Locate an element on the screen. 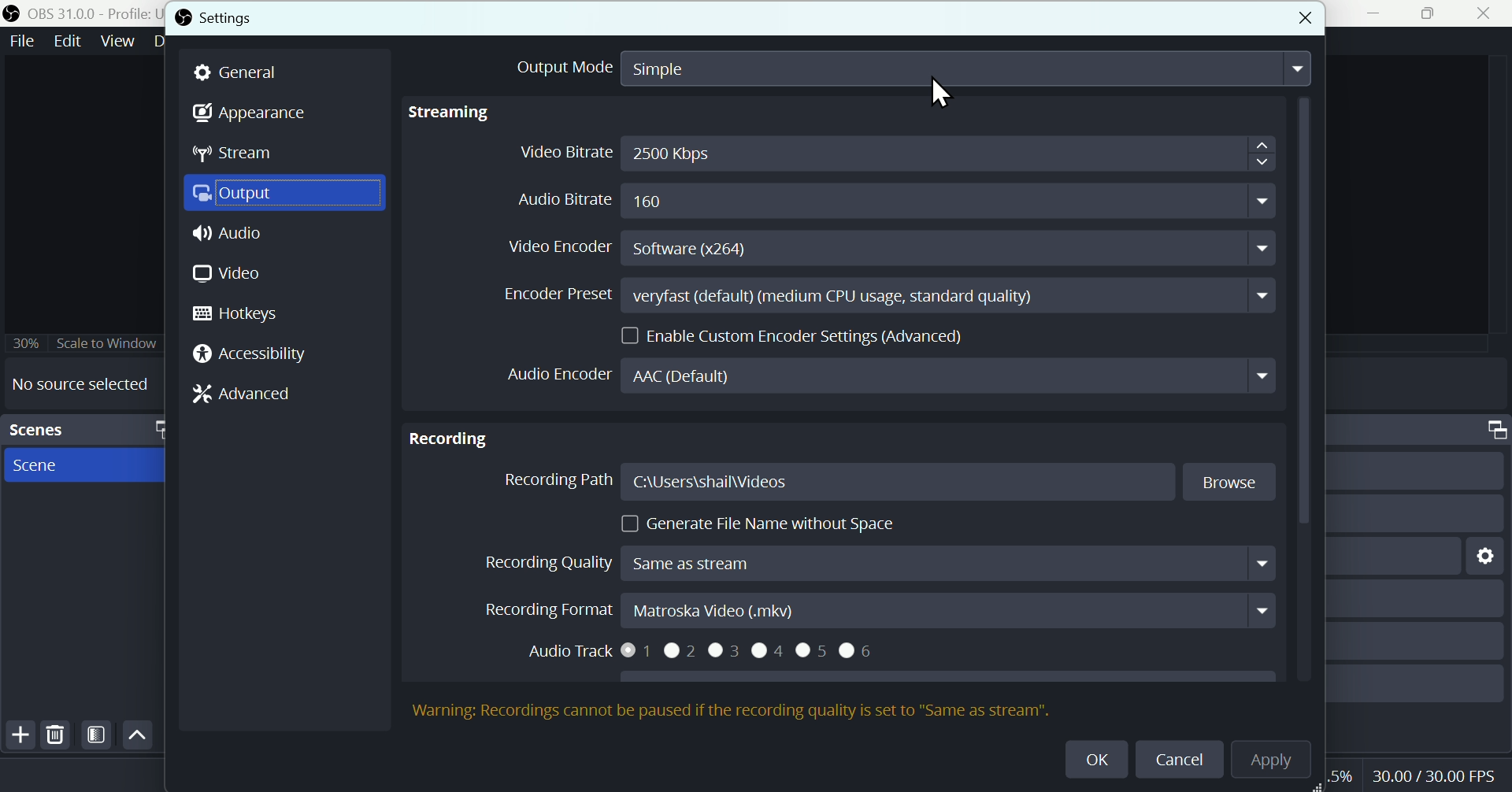  close tab is located at coordinates (1302, 20).